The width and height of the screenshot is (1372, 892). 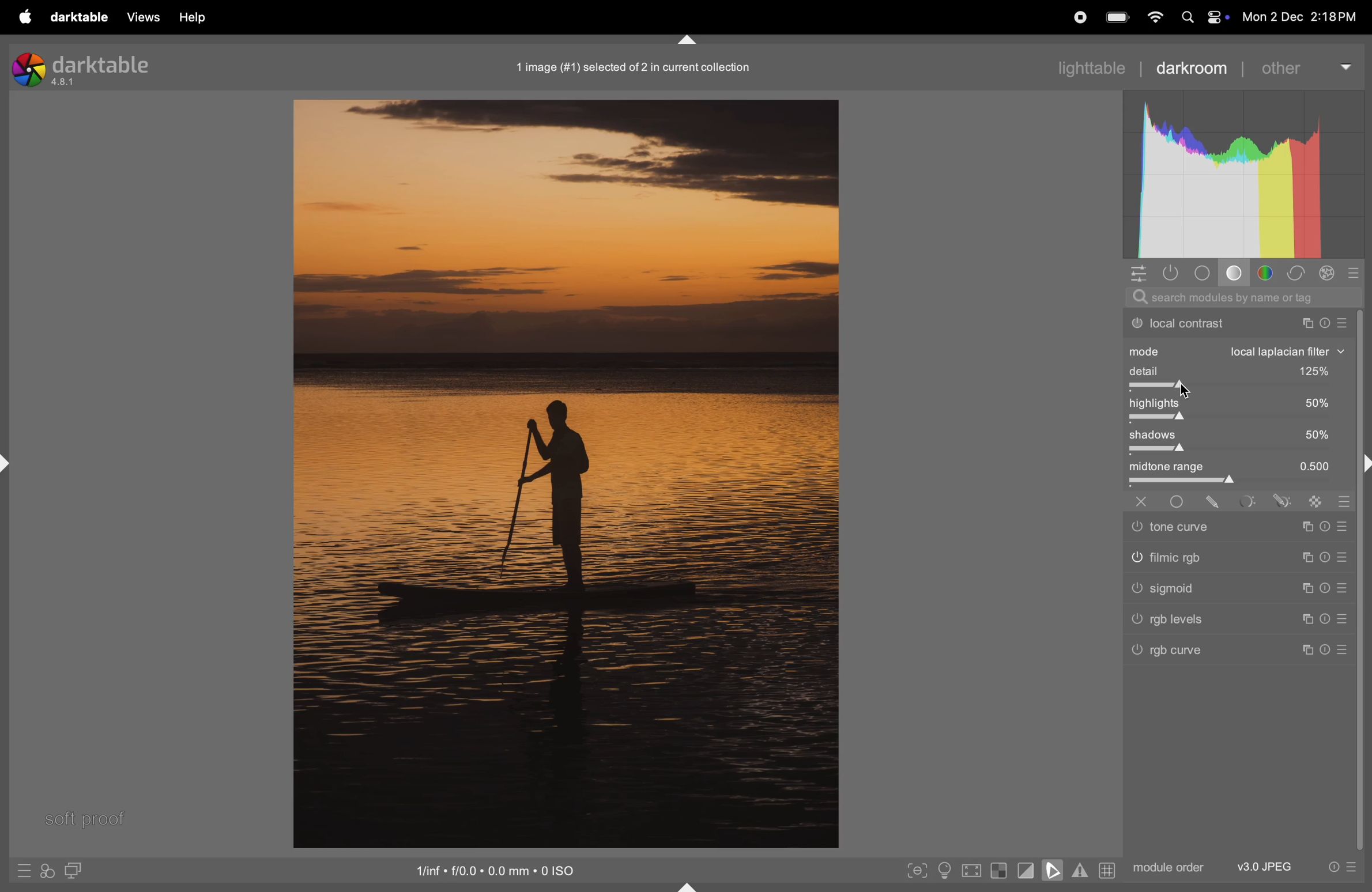 What do you see at coordinates (1238, 350) in the screenshot?
I see `mode` at bounding box center [1238, 350].